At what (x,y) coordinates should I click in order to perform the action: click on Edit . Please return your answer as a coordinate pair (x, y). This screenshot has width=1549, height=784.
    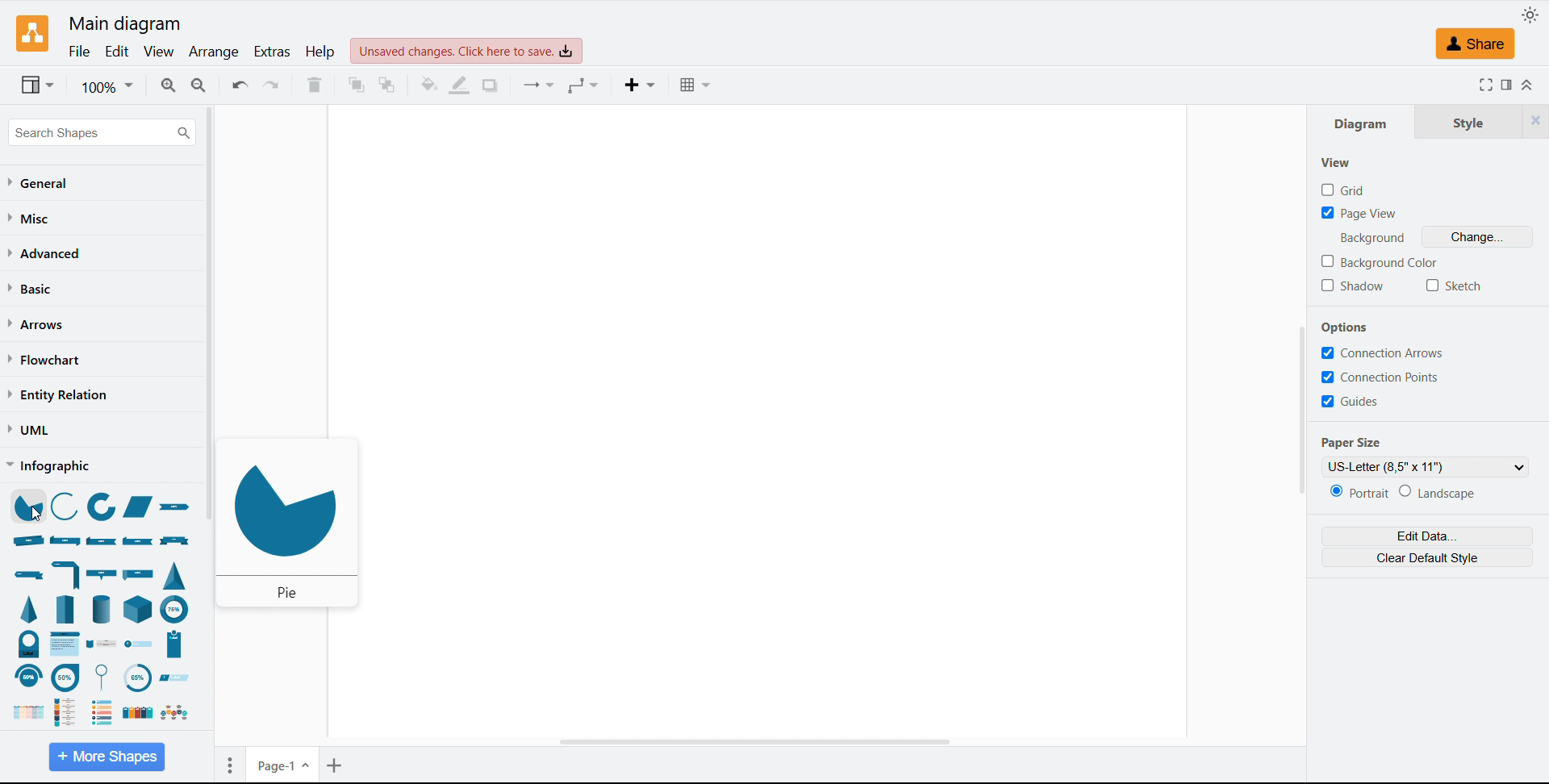
    Looking at the image, I should click on (115, 52).